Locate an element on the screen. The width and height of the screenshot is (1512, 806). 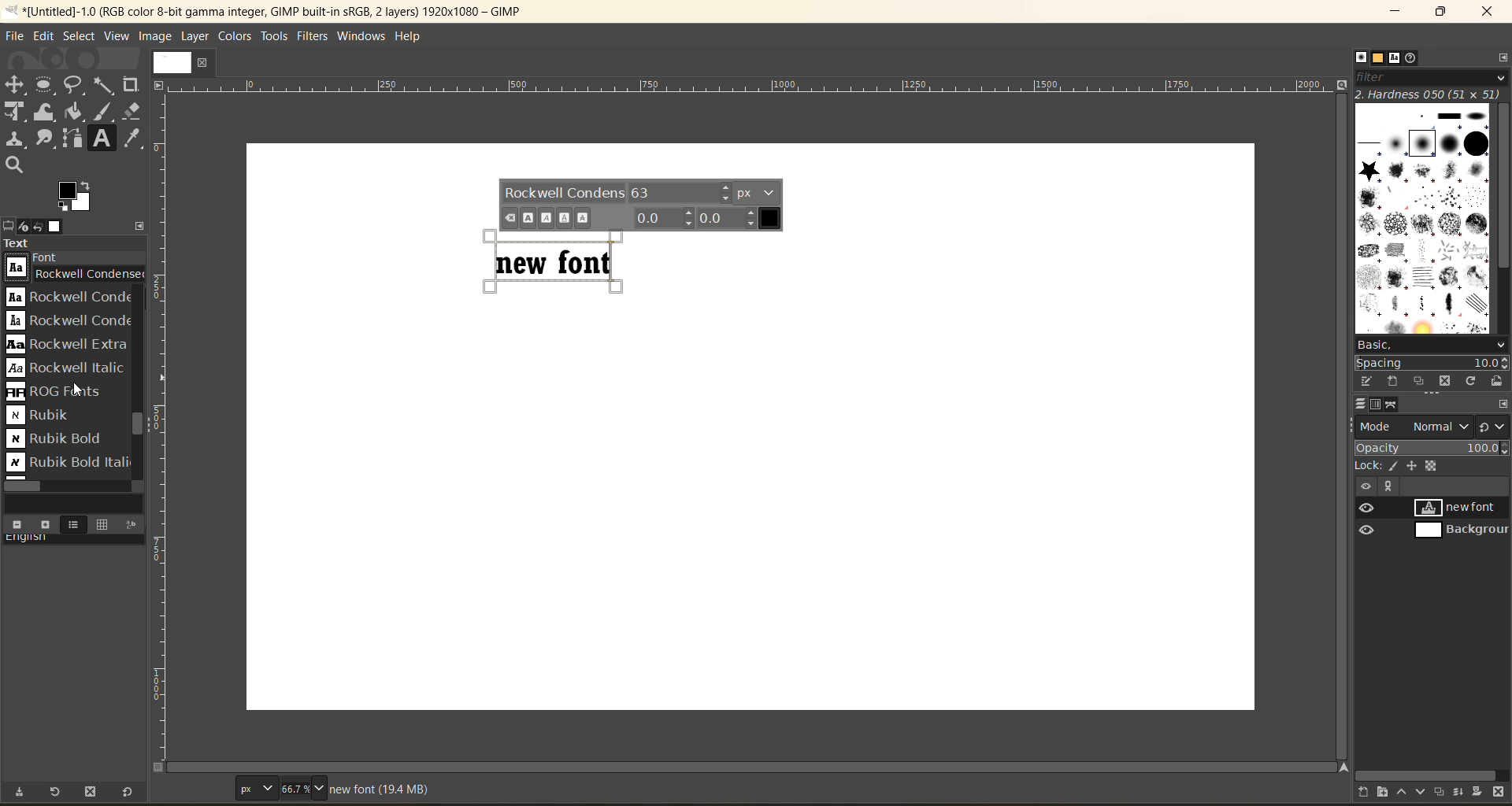
create a new layer group is located at coordinates (1384, 793).